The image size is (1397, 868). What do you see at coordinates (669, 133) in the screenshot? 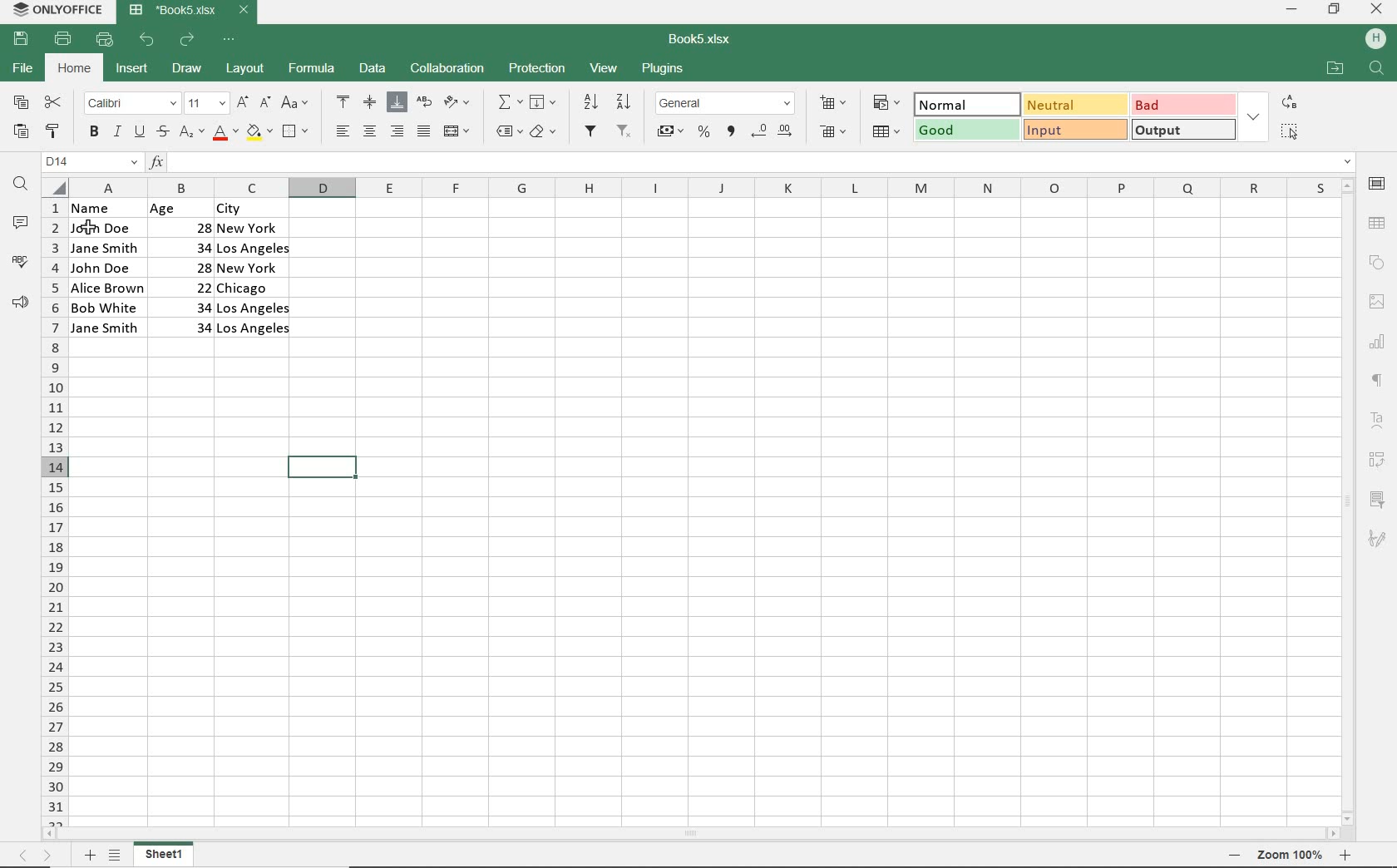
I see `ACCOUNTING STYLE` at bounding box center [669, 133].